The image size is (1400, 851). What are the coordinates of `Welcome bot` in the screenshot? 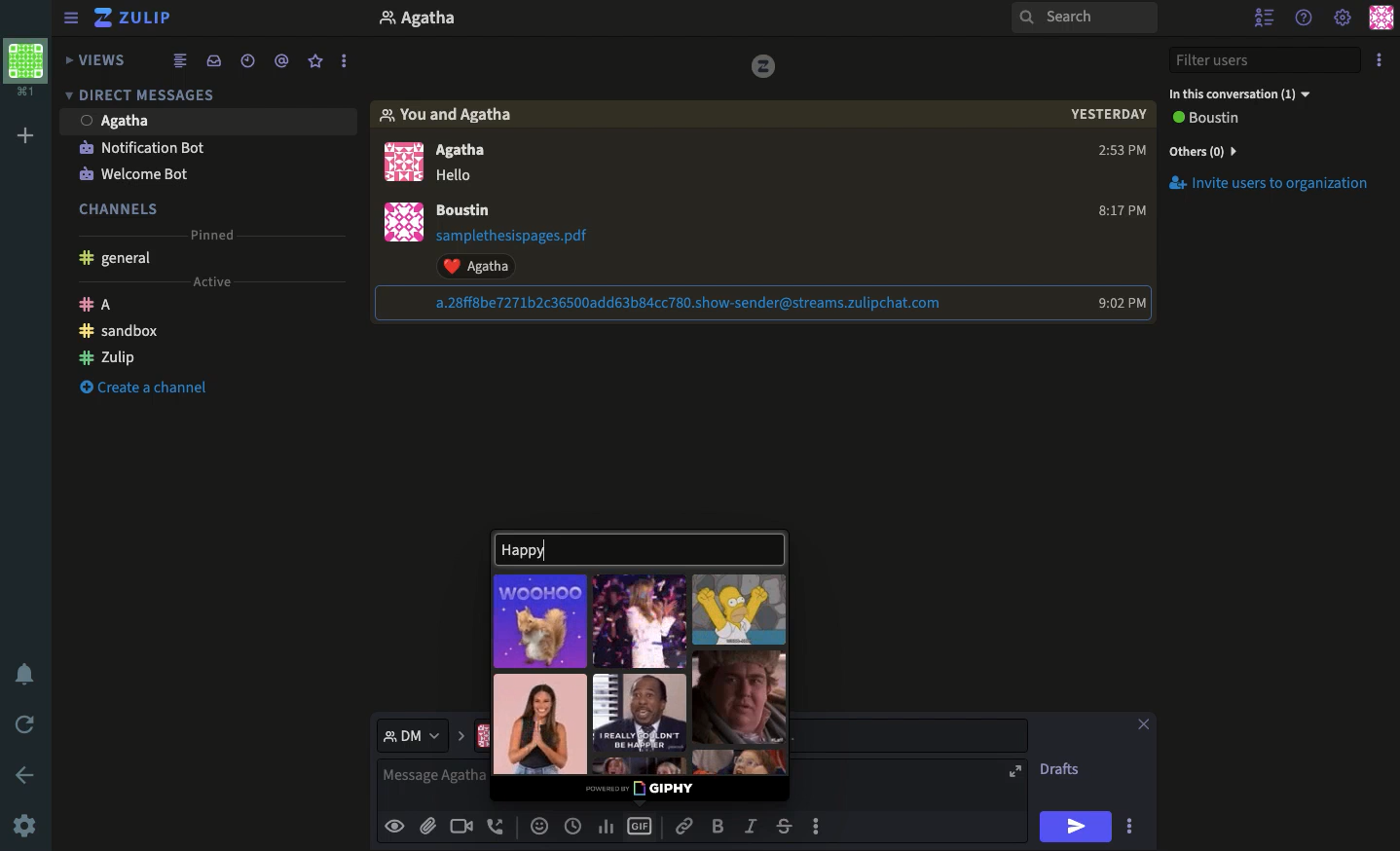 It's located at (143, 172).